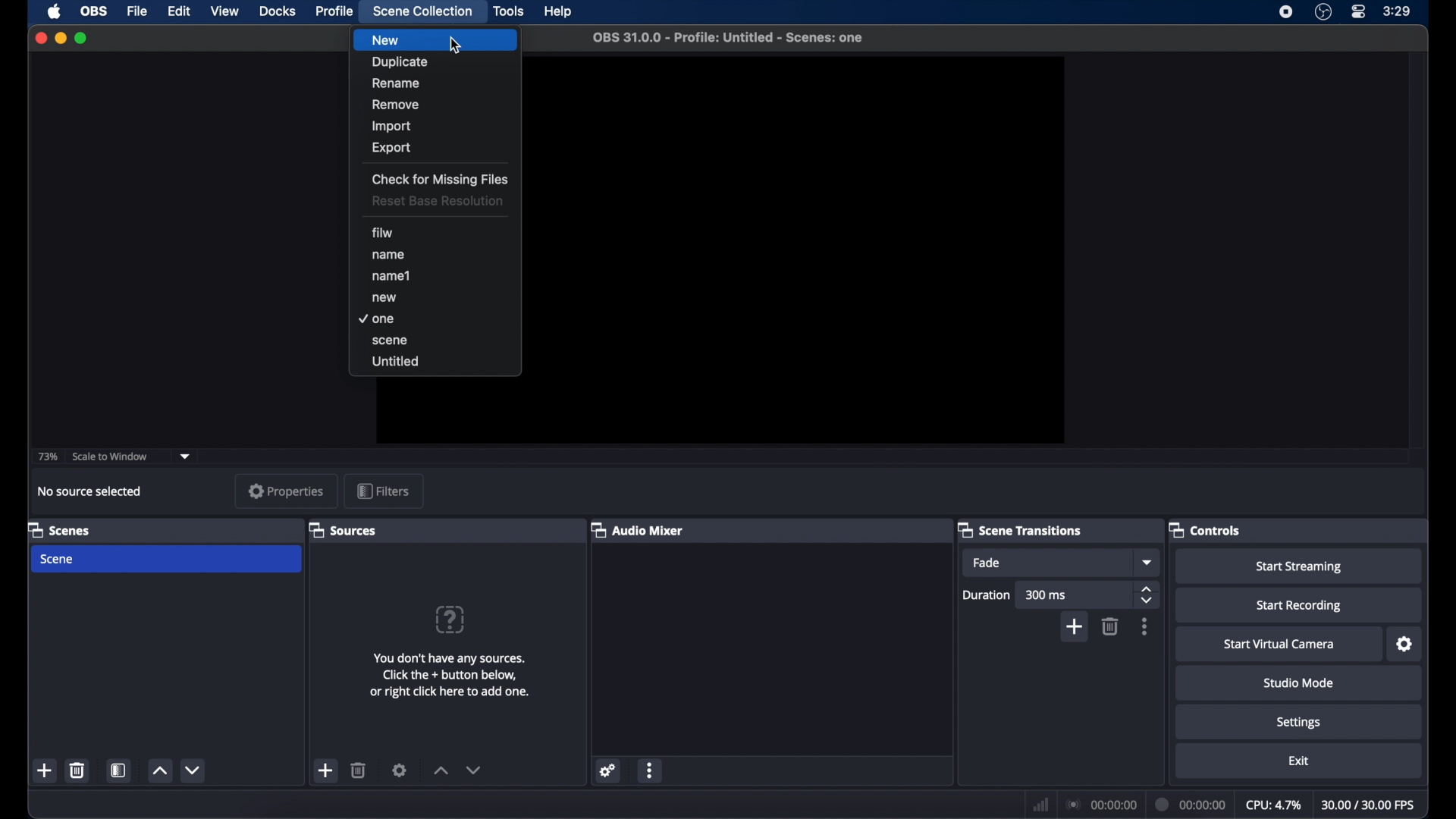  Describe the element at coordinates (58, 559) in the screenshot. I see `scene` at that location.